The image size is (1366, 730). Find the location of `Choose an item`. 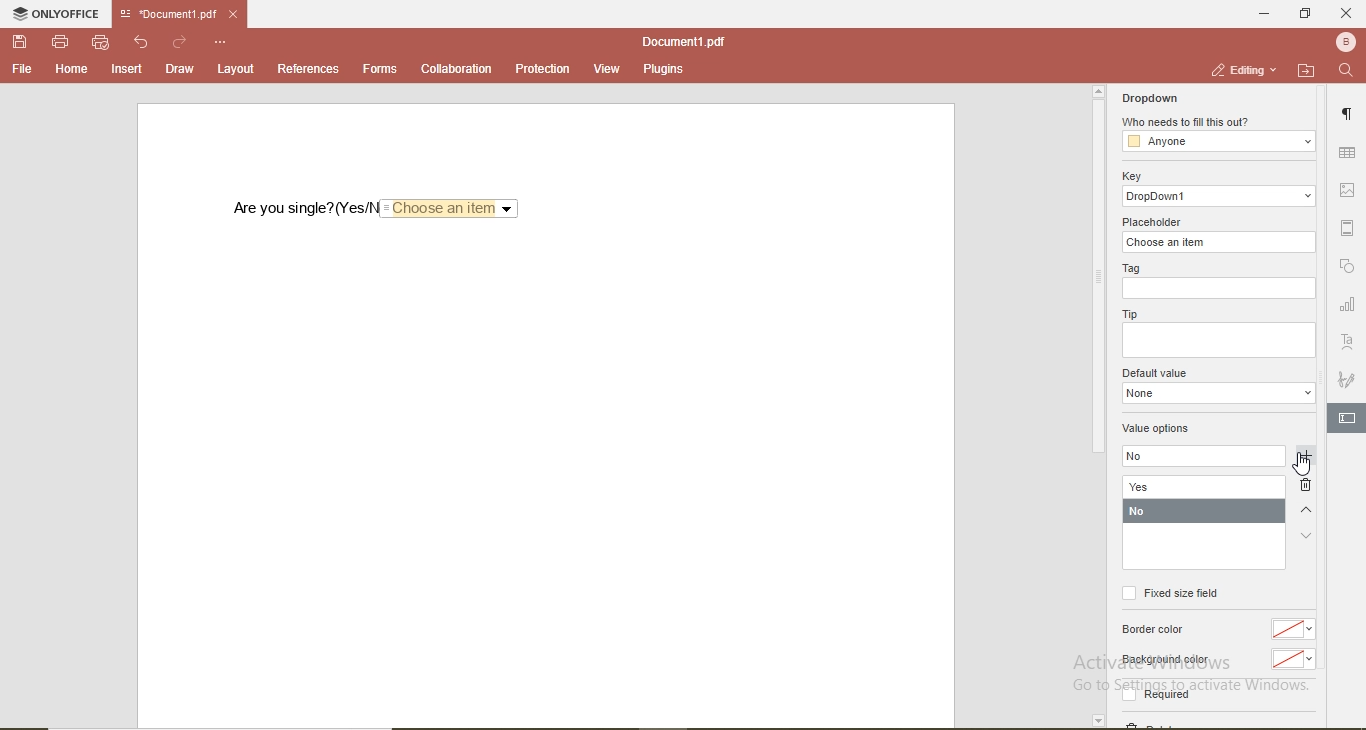

Choose an item is located at coordinates (447, 210).